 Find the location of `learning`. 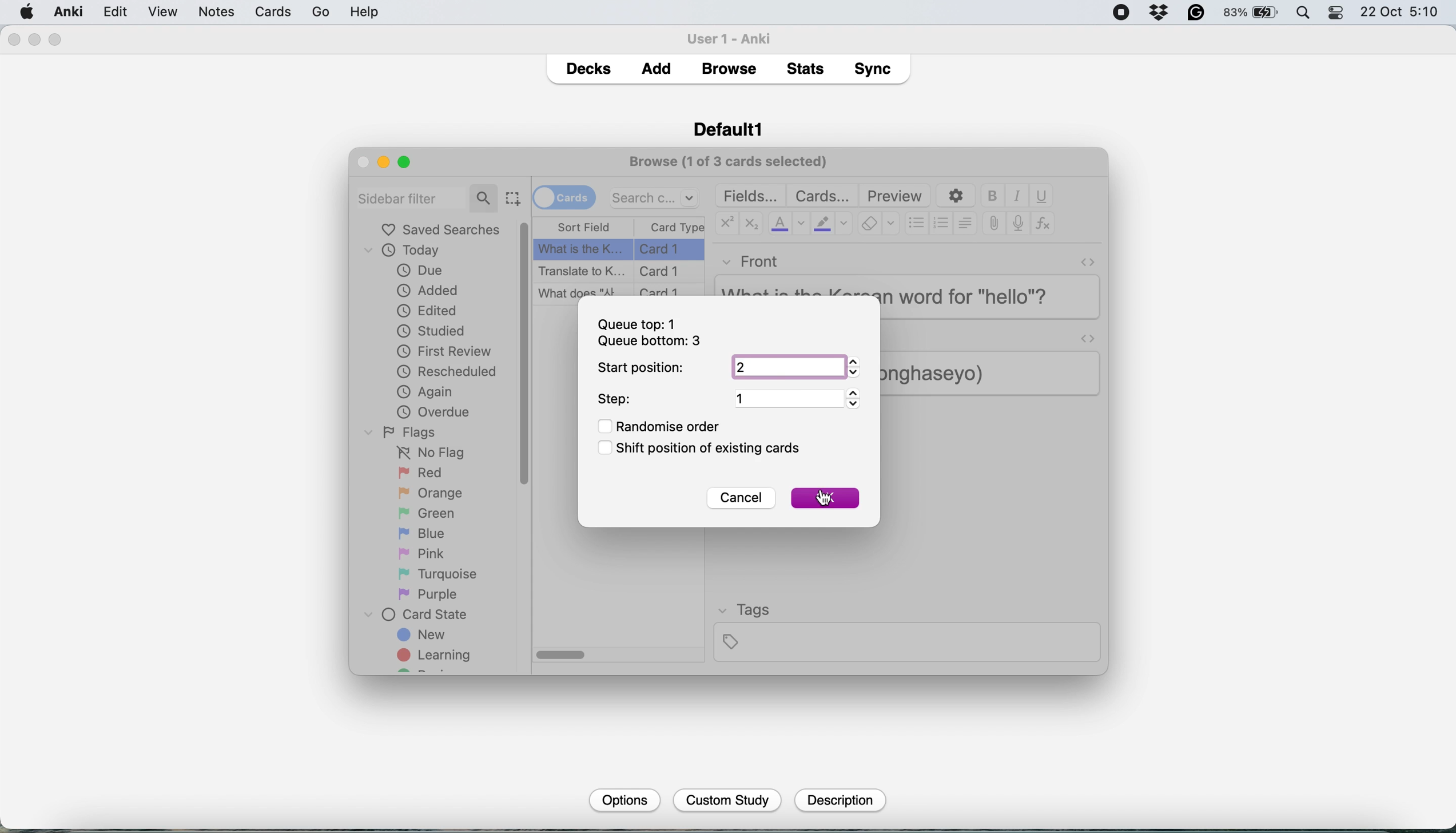

learning is located at coordinates (438, 657).